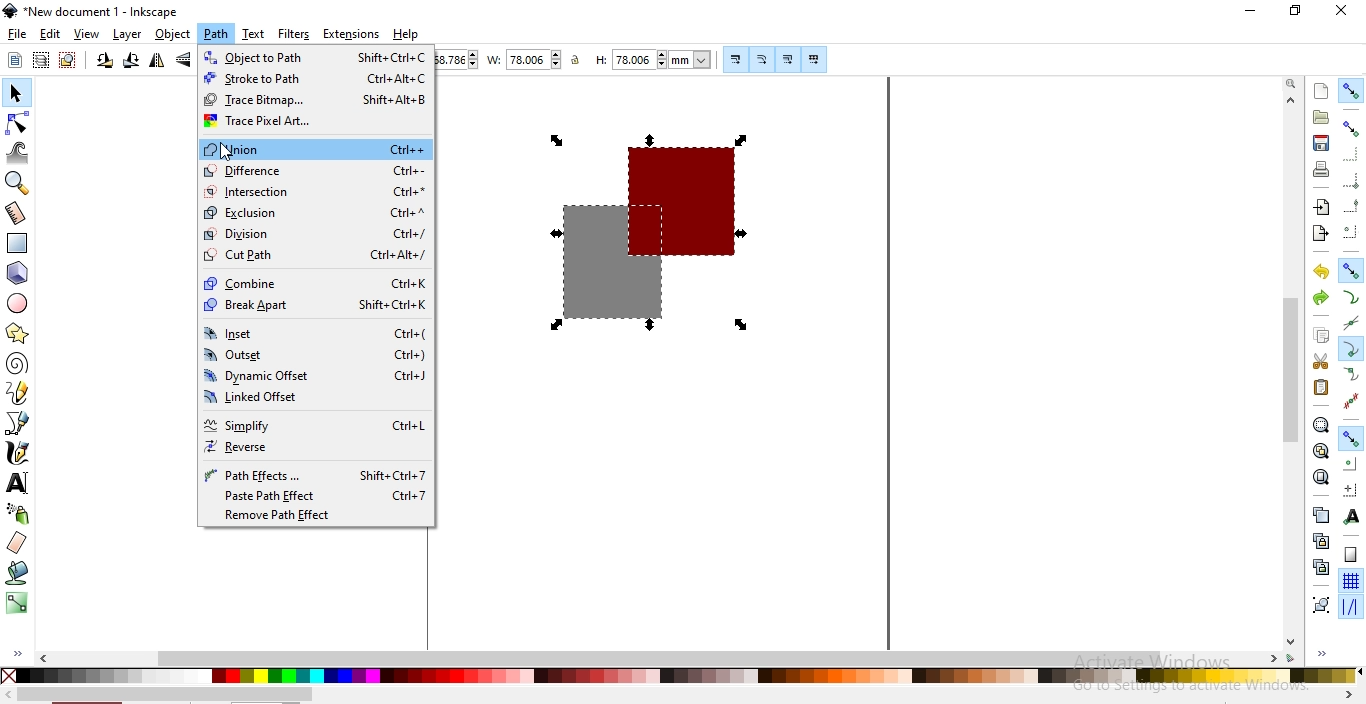  Describe the element at coordinates (16, 95) in the screenshot. I see `select and transform objects` at that location.